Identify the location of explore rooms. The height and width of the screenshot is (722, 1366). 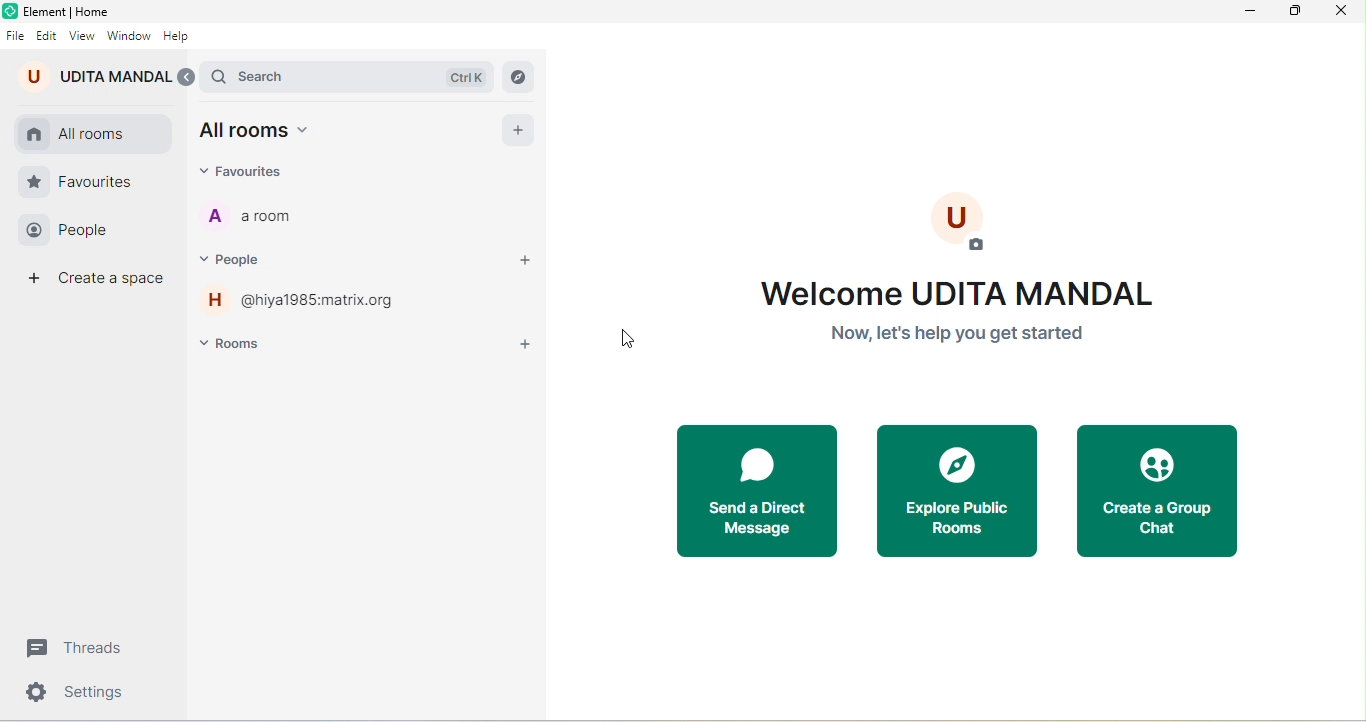
(518, 76).